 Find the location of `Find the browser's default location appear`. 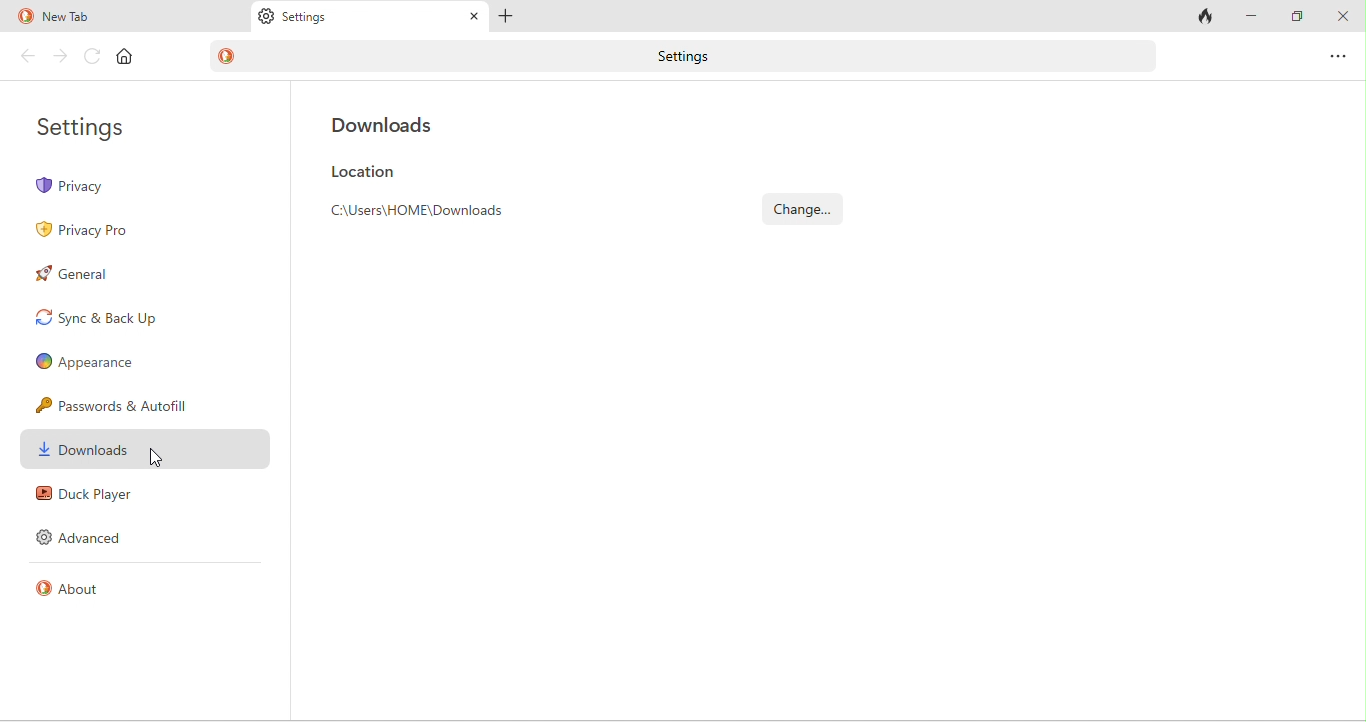

Find the browser's default location appear is located at coordinates (425, 213).